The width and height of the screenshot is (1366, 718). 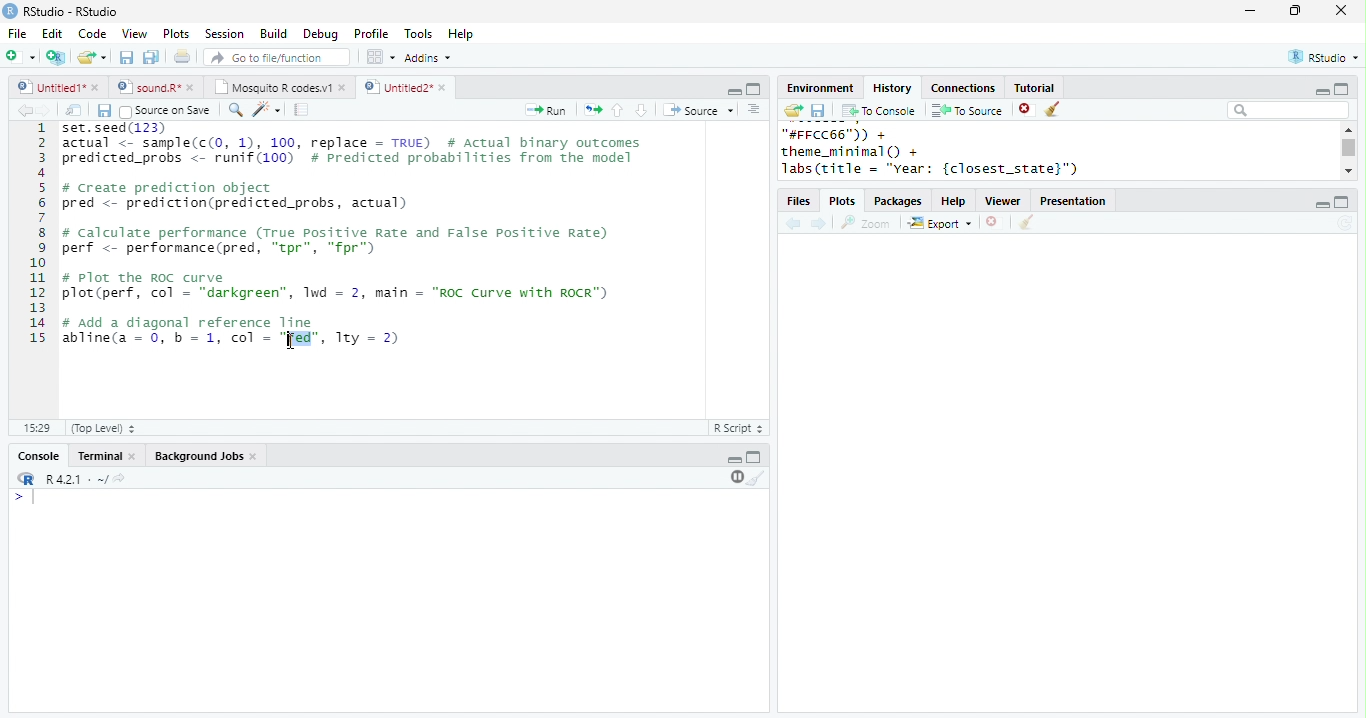 What do you see at coordinates (92, 57) in the screenshot?
I see `open file` at bounding box center [92, 57].